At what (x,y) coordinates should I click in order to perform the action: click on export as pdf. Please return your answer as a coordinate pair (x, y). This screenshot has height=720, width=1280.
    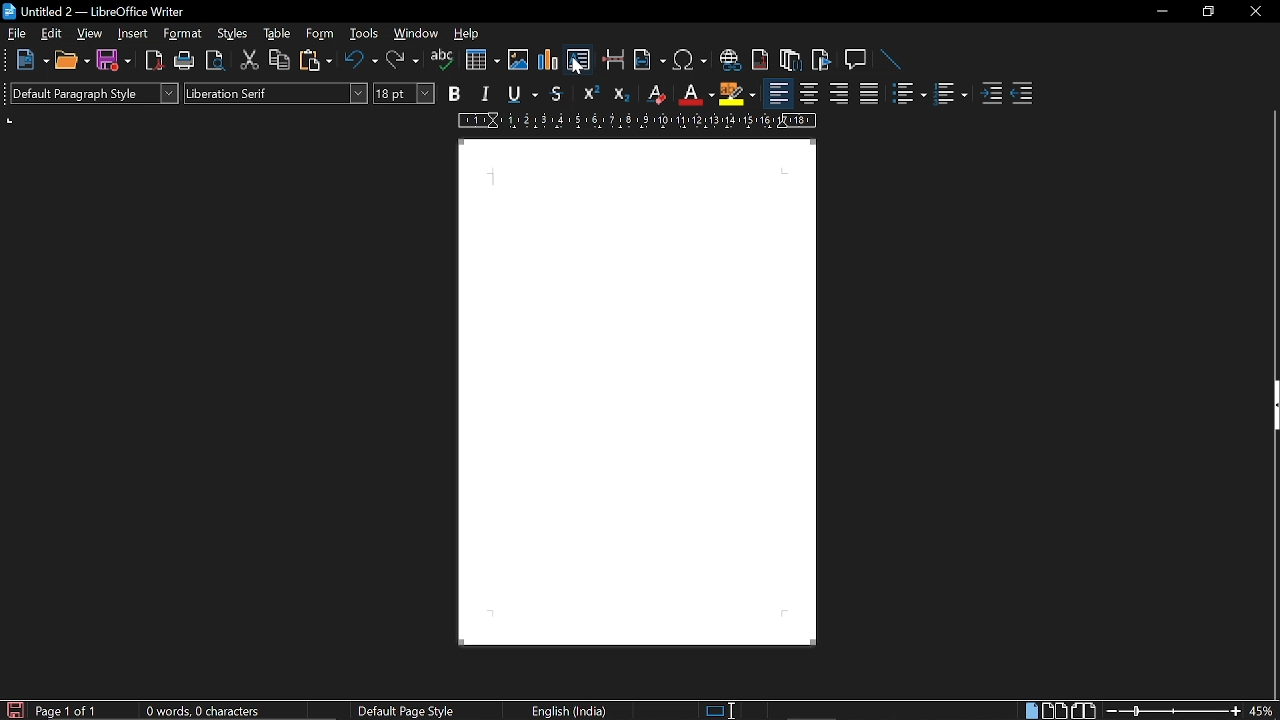
    Looking at the image, I should click on (153, 60).